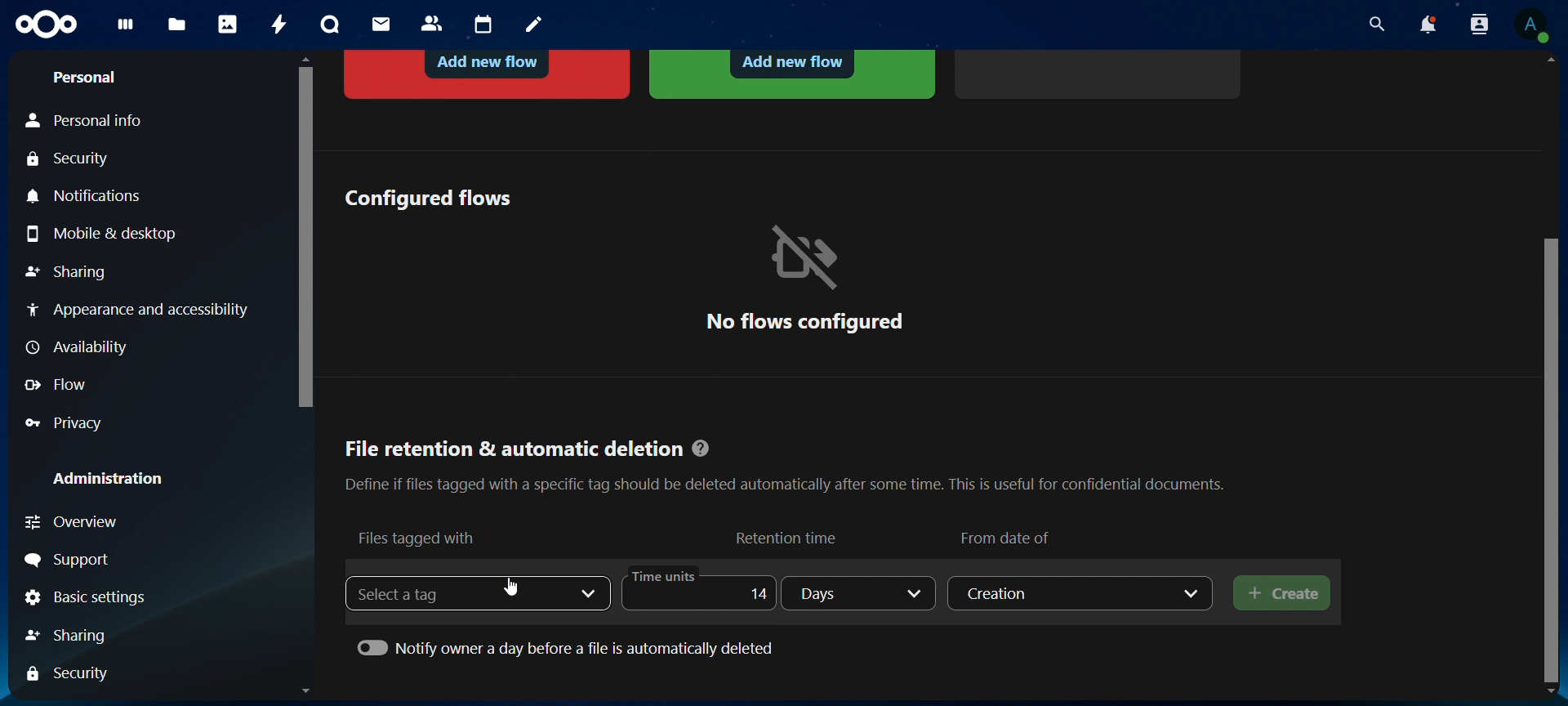 The width and height of the screenshot is (1568, 706). What do you see at coordinates (106, 233) in the screenshot?
I see `mobile & desktop` at bounding box center [106, 233].